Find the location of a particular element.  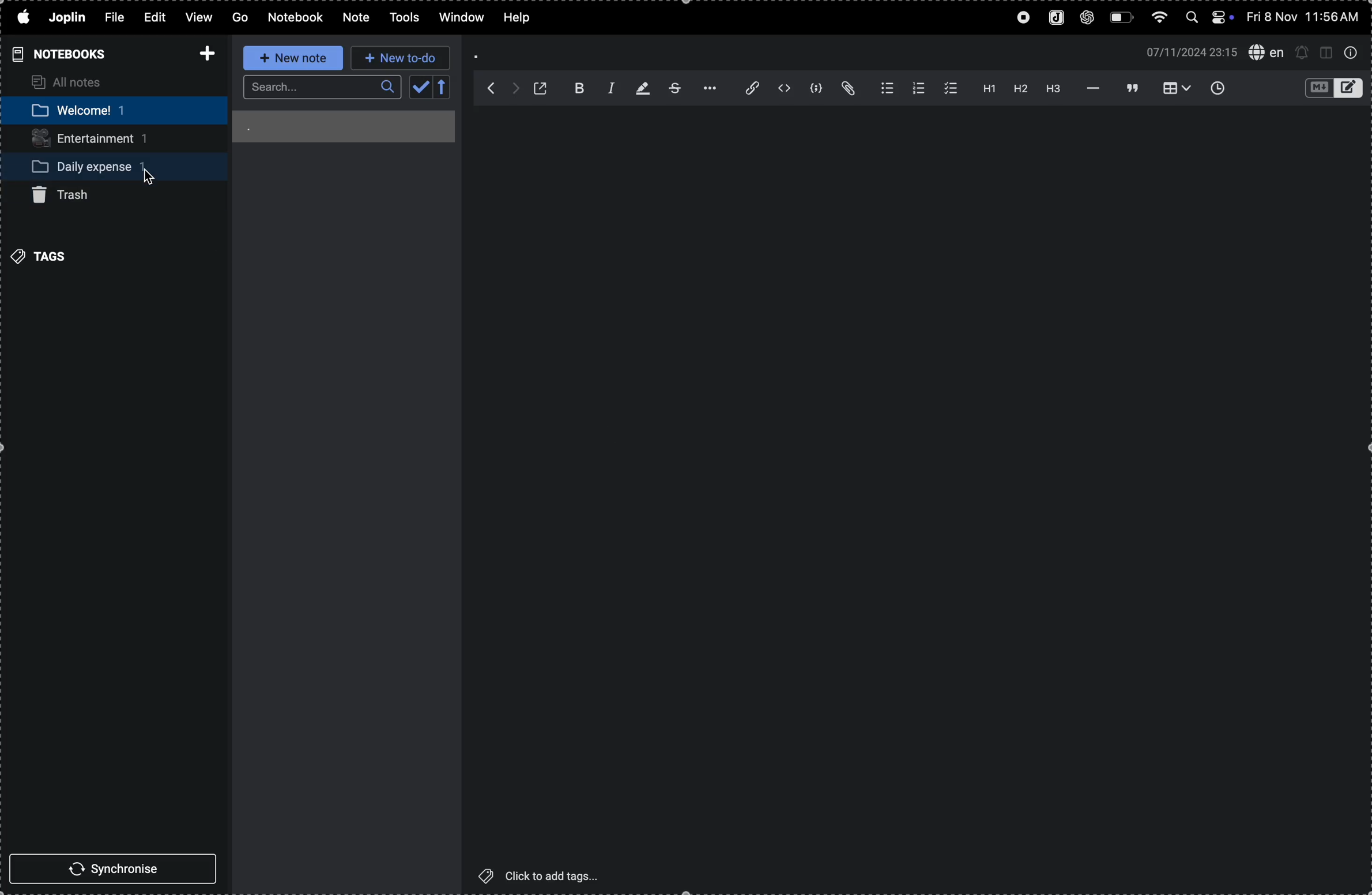

battery is located at coordinates (1121, 18).